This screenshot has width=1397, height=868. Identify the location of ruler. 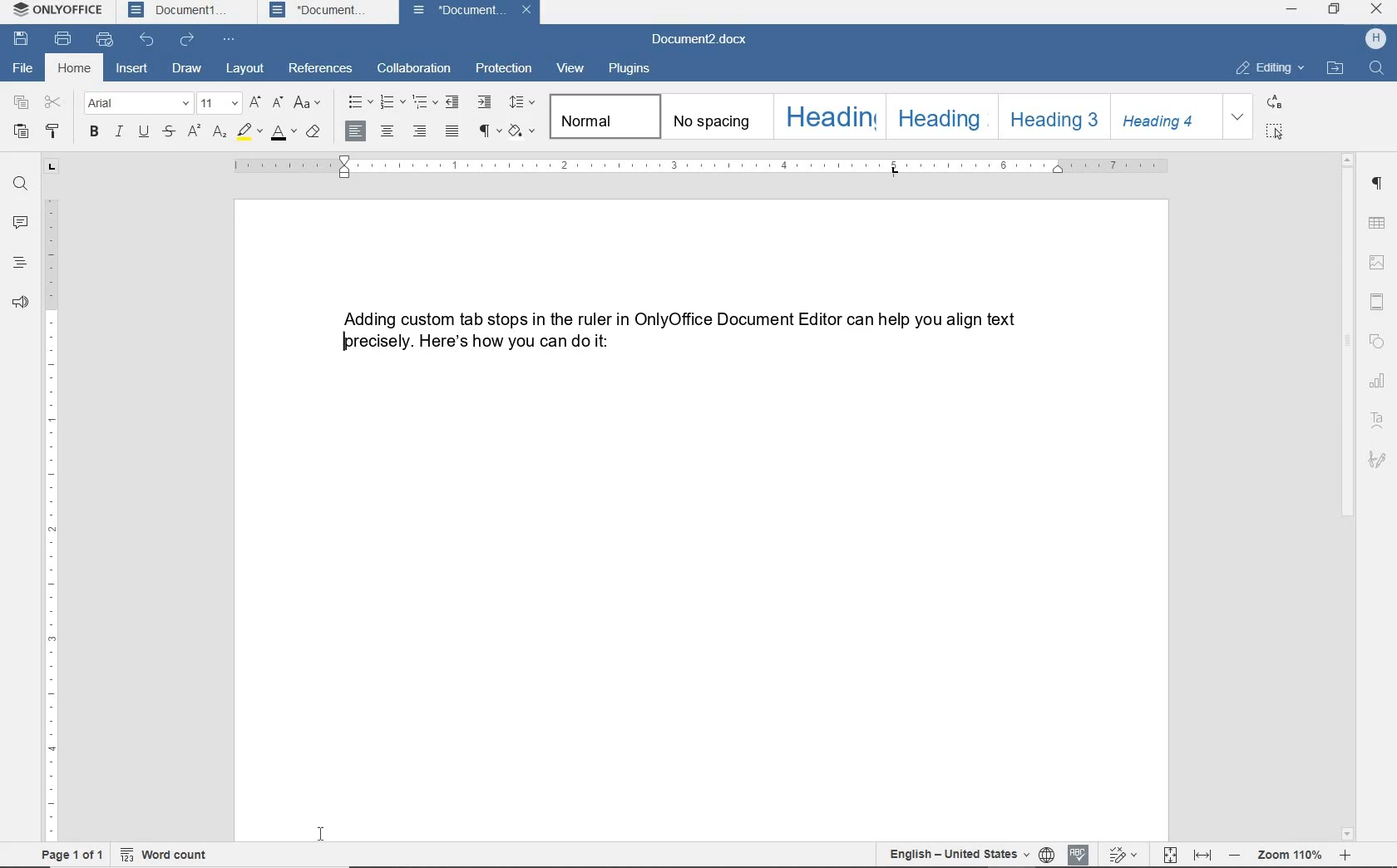
(699, 165).